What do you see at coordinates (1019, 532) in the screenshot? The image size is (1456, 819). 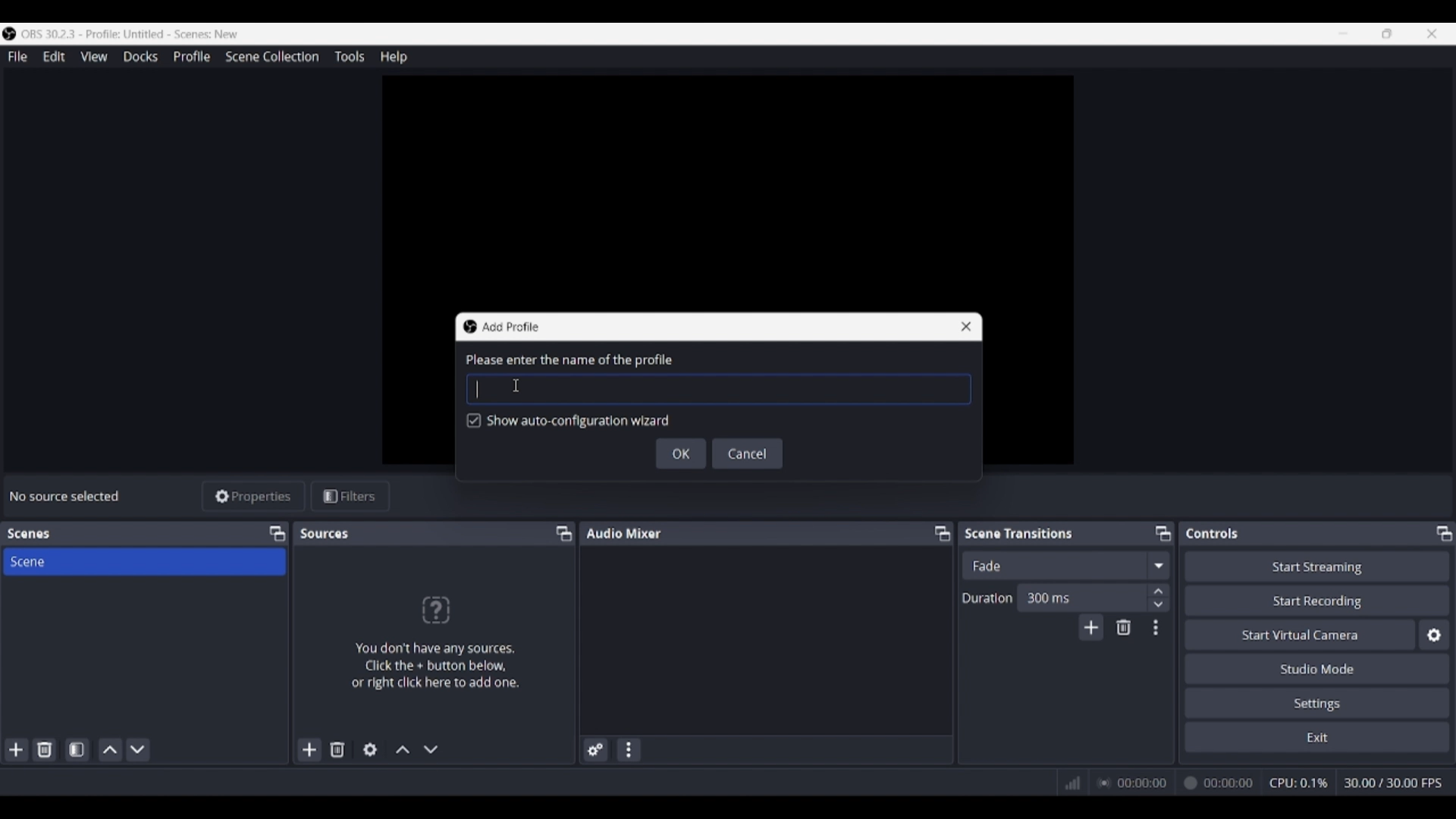 I see `Panel title` at bounding box center [1019, 532].